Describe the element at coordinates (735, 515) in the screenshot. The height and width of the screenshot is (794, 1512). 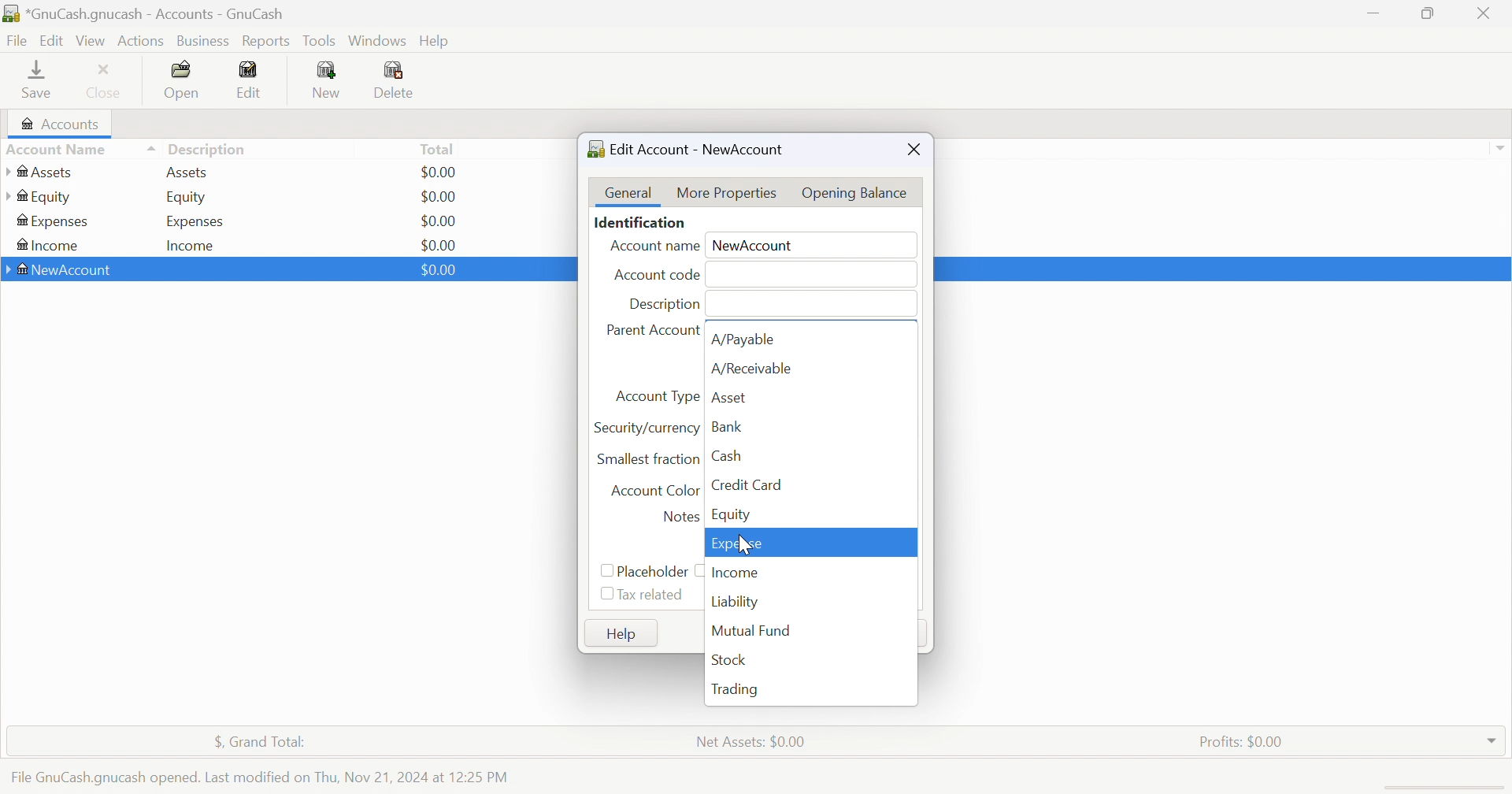
I see `Equity` at that location.